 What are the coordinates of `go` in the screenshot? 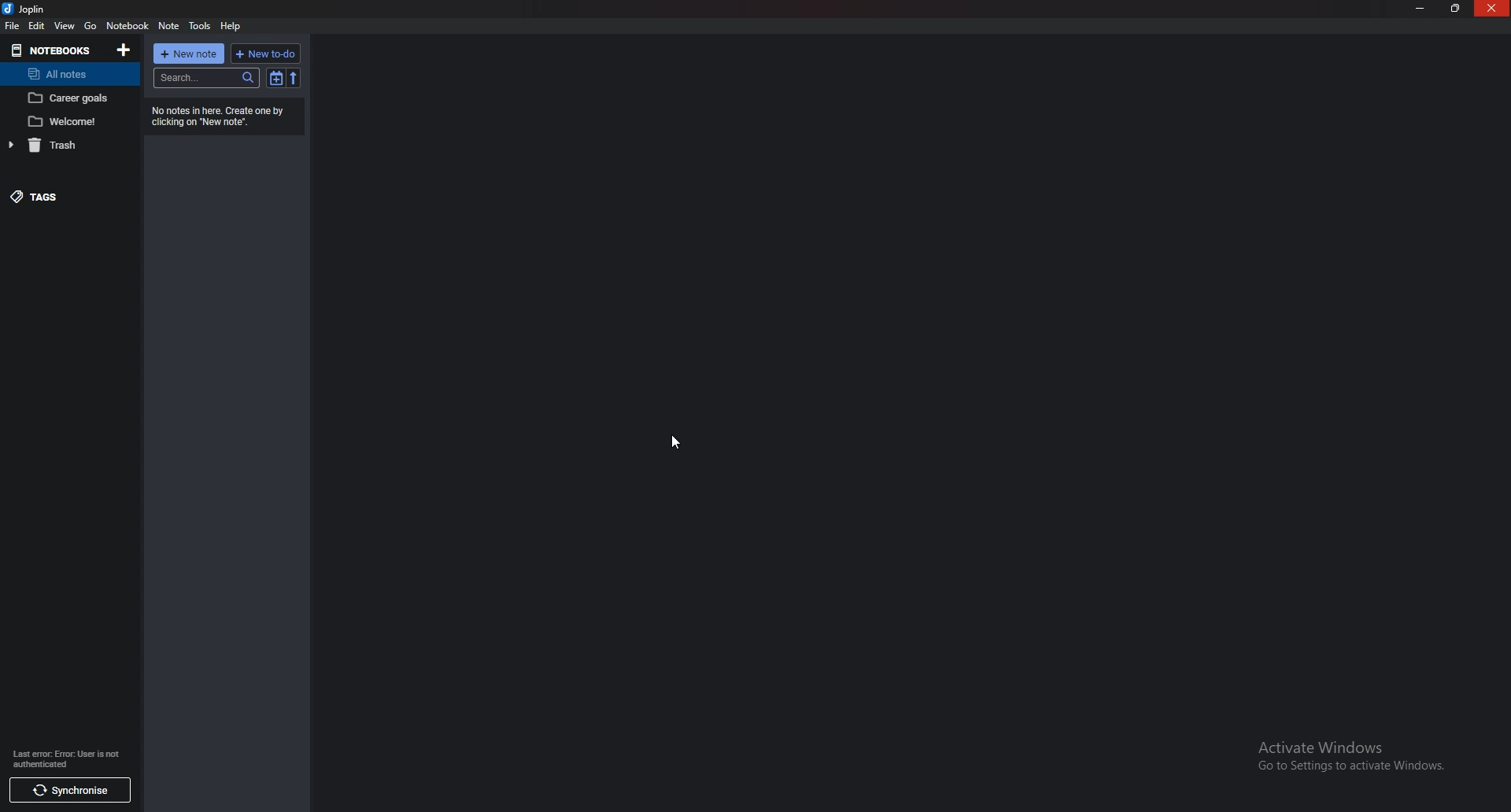 It's located at (89, 26).